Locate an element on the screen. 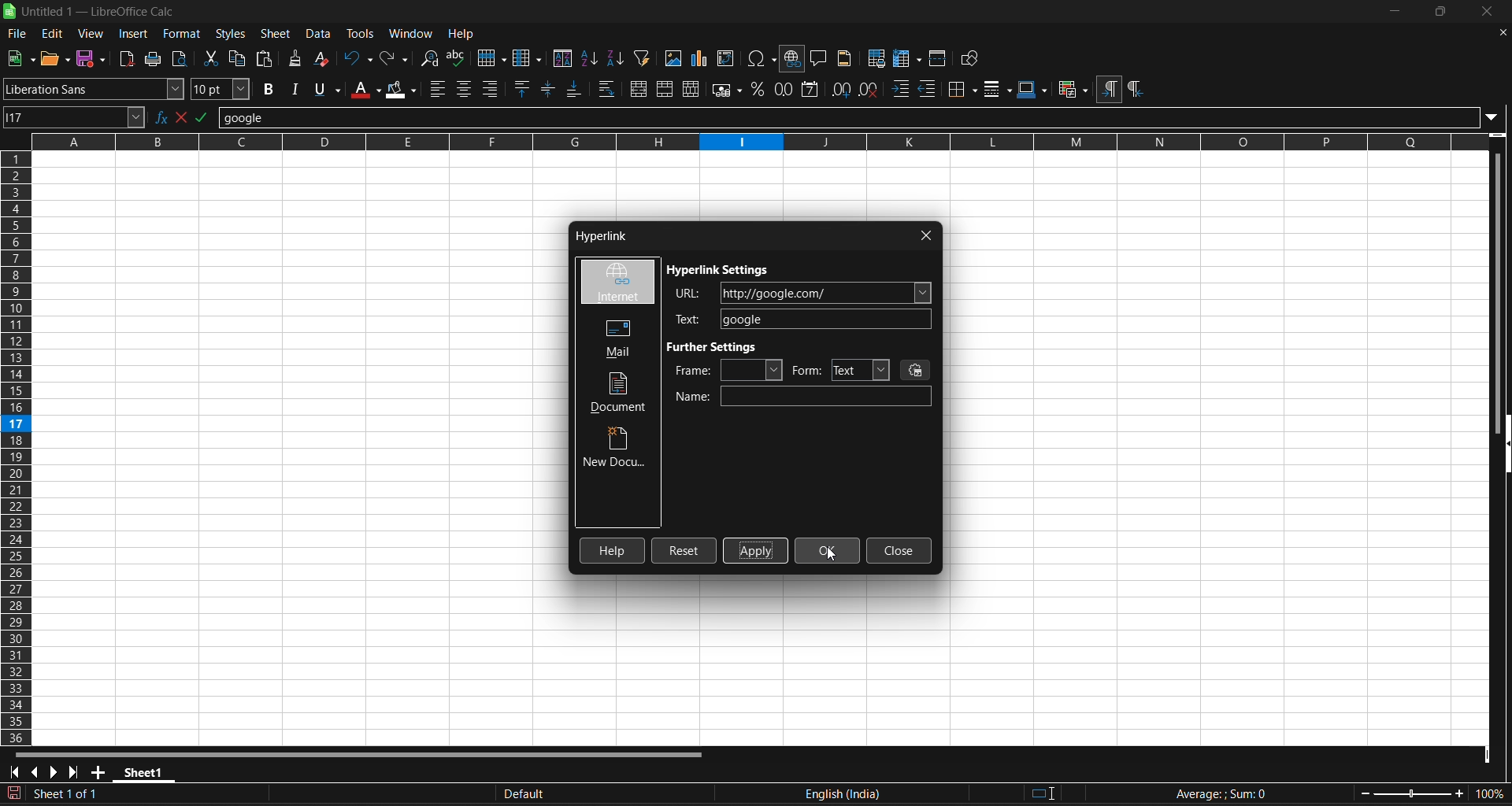 This screenshot has height=806, width=1512. name box is located at coordinates (76, 117).